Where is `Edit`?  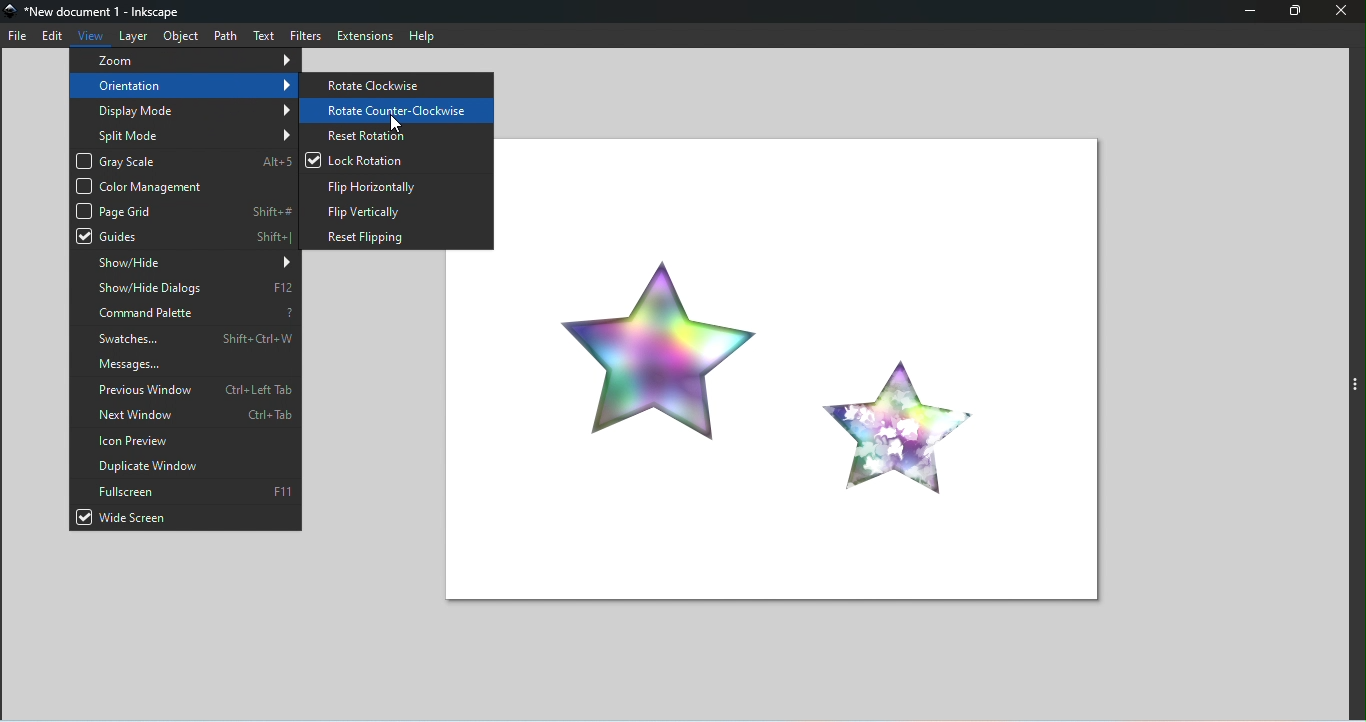 Edit is located at coordinates (53, 37).